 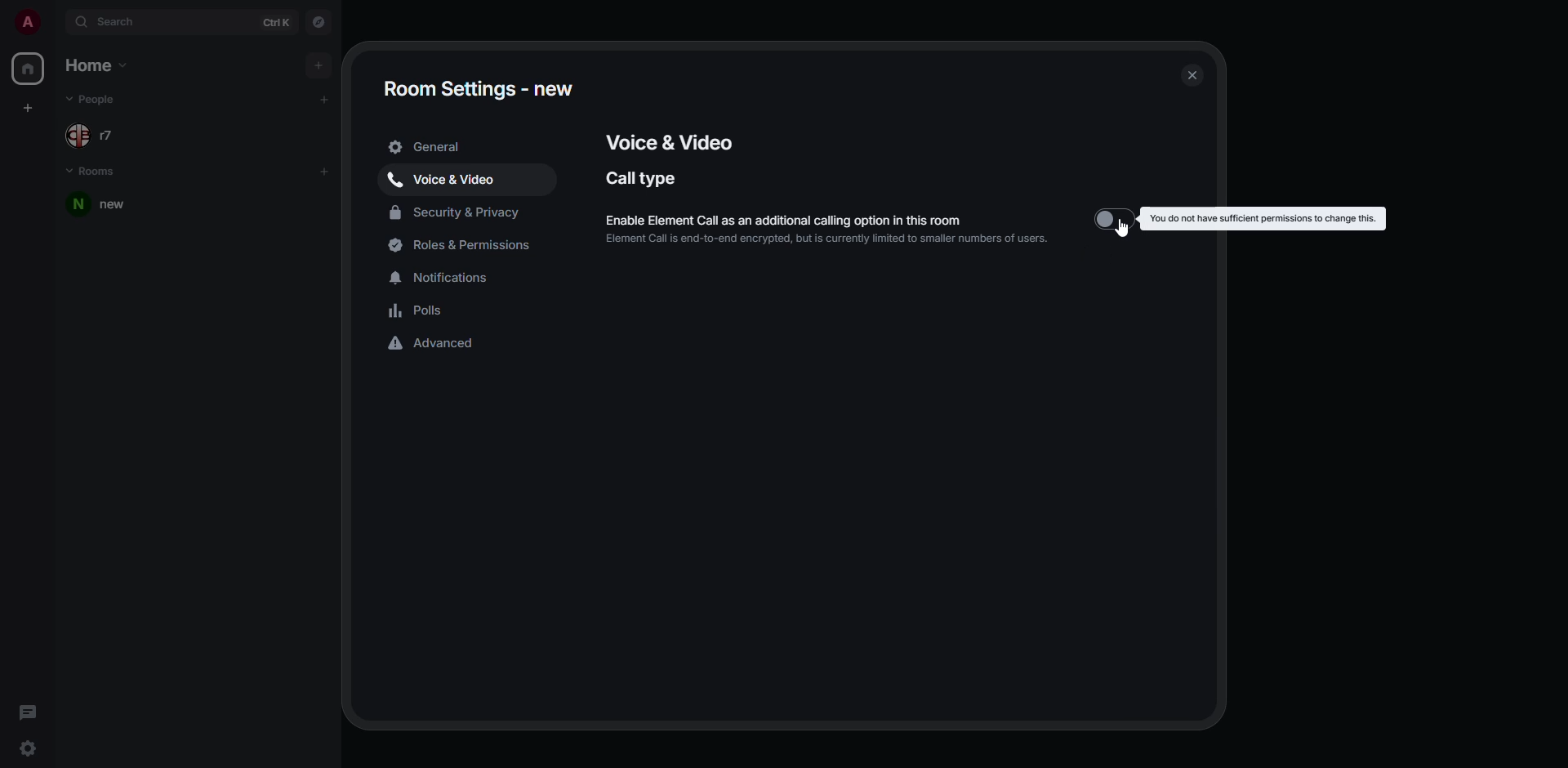 What do you see at coordinates (446, 177) in the screenshot?
I see `voice & video` at bounding box center [446, 177].